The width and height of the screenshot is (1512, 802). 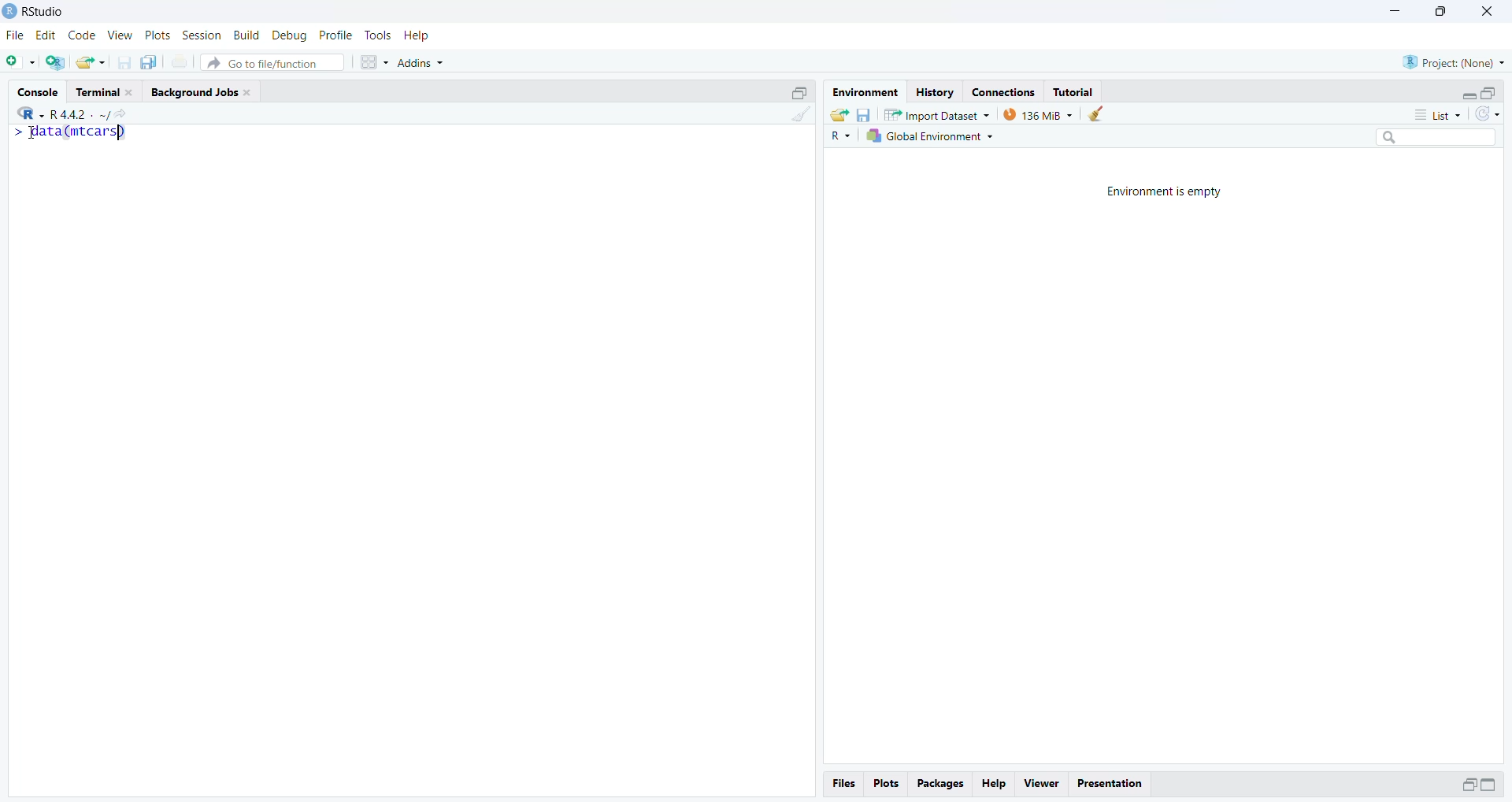 I want to click on Connections, so click(x=1002, y=91).